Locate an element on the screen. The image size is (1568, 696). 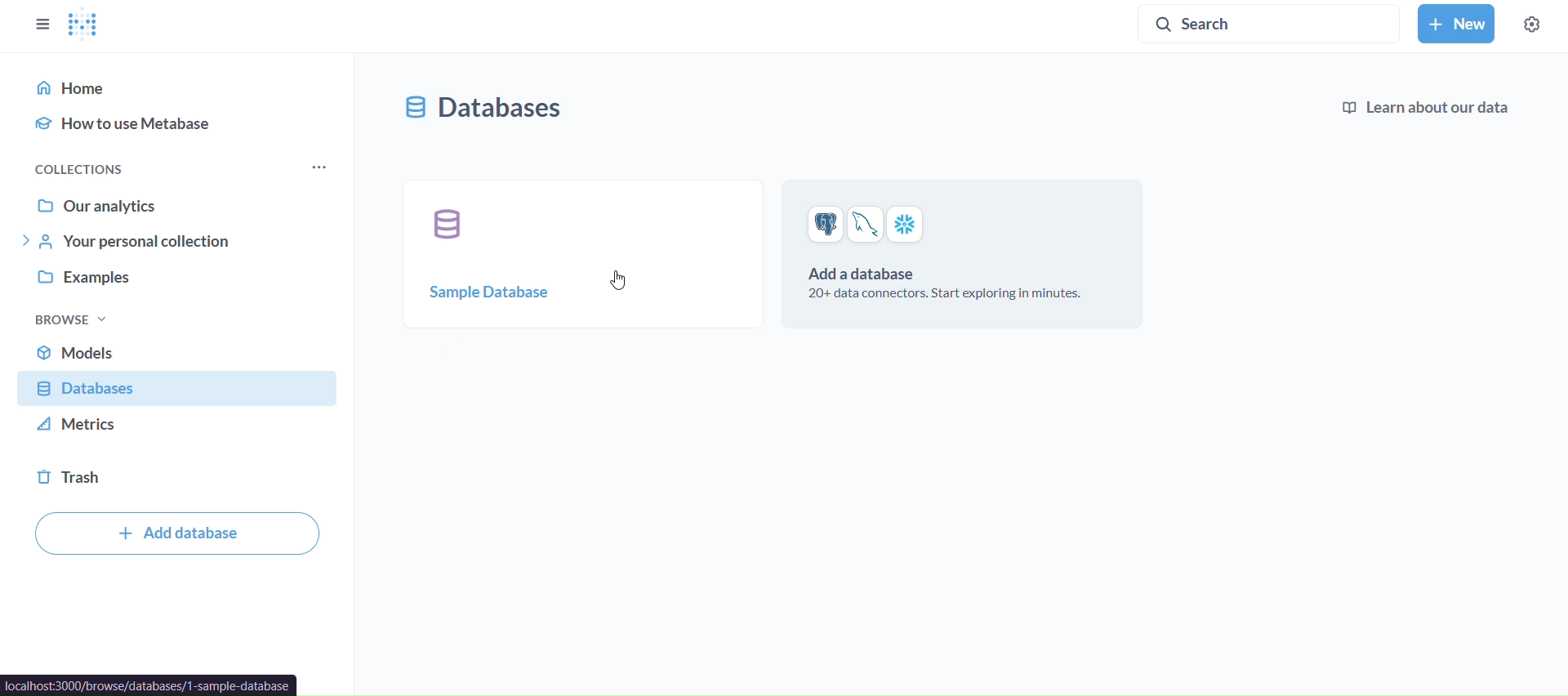
database is located at coordinates (180, 390).